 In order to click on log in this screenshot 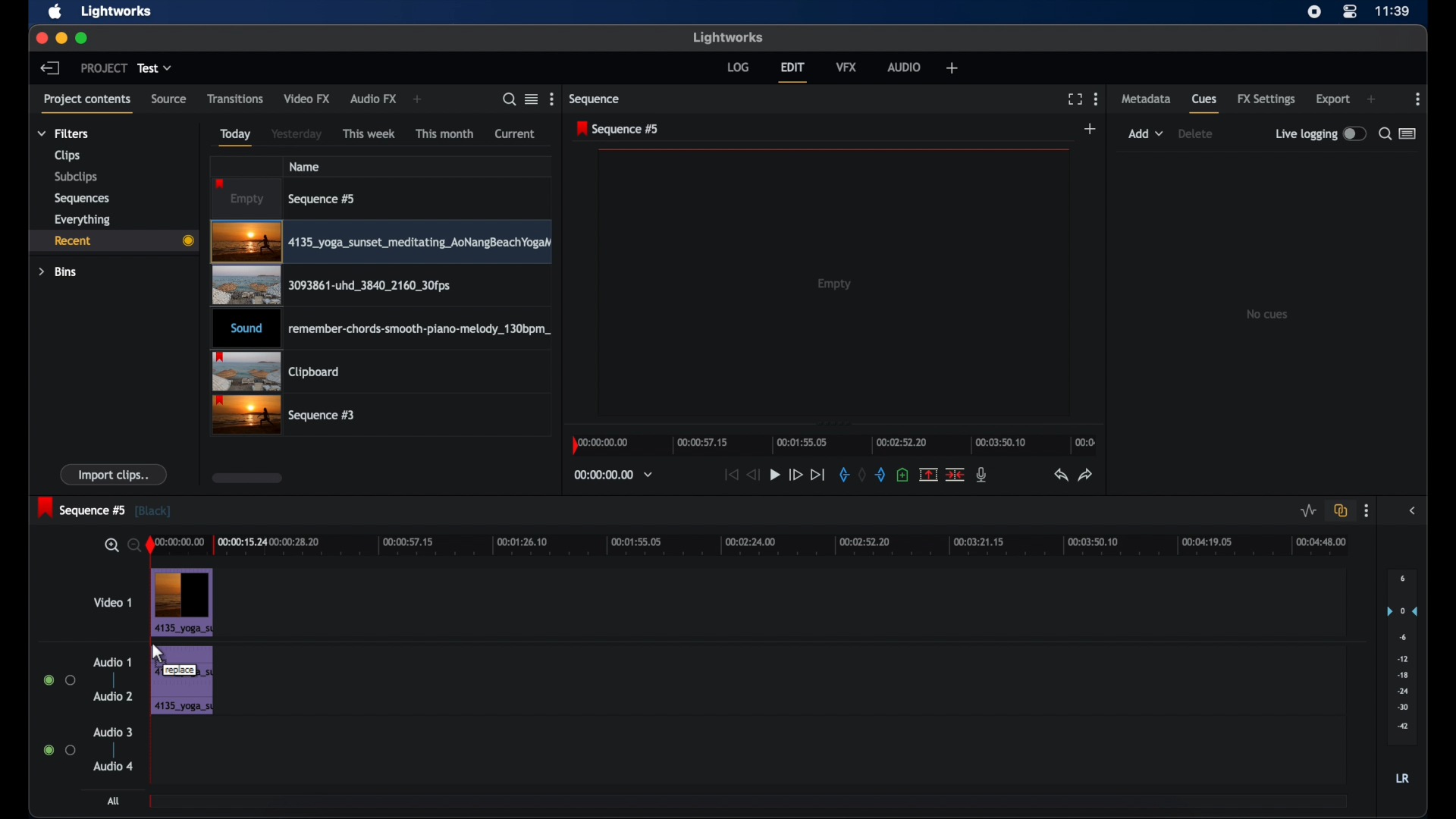, I will do `click(739, 67)`.